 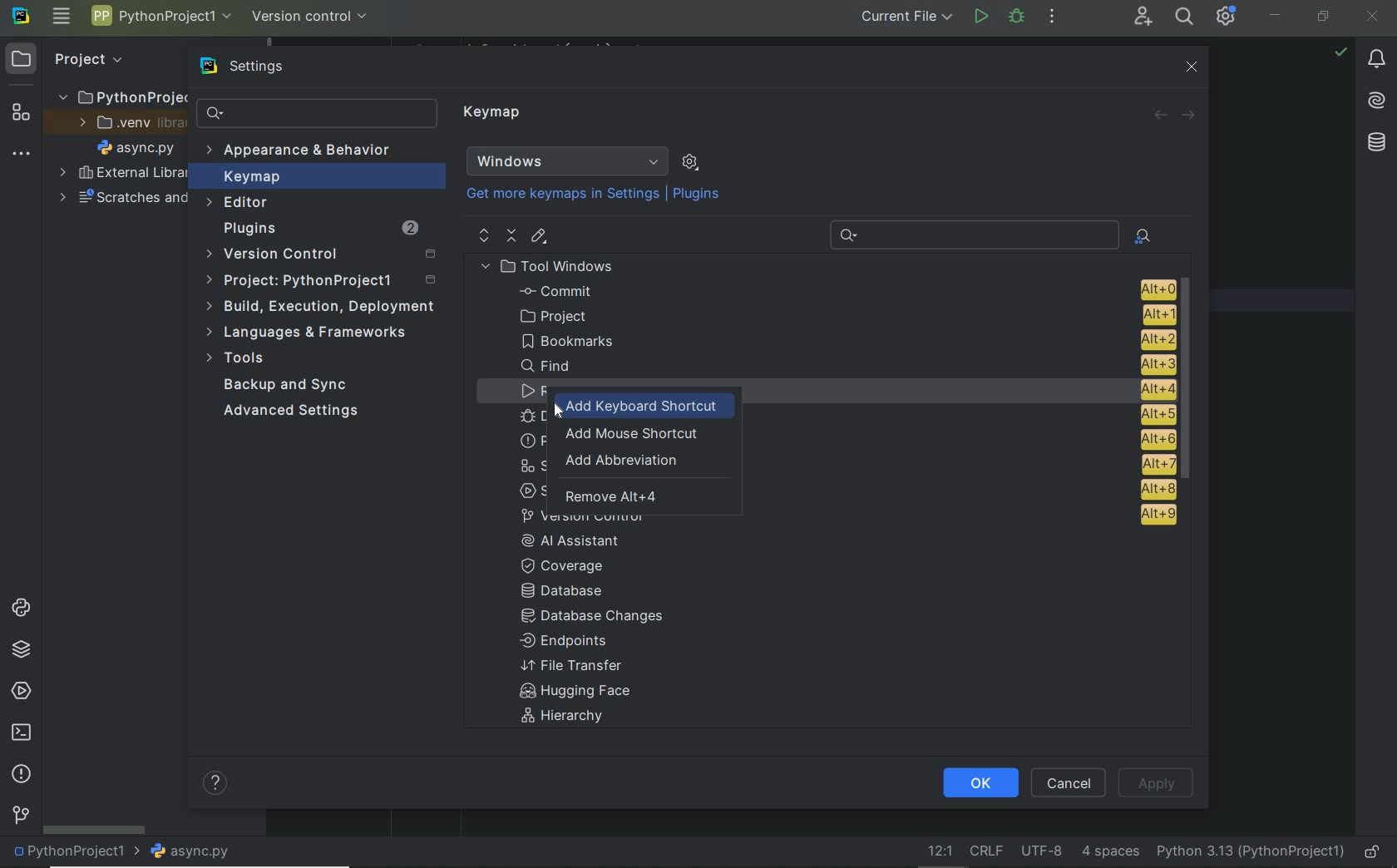 I want to click on alt + 8, so click(x=1152, y=489).